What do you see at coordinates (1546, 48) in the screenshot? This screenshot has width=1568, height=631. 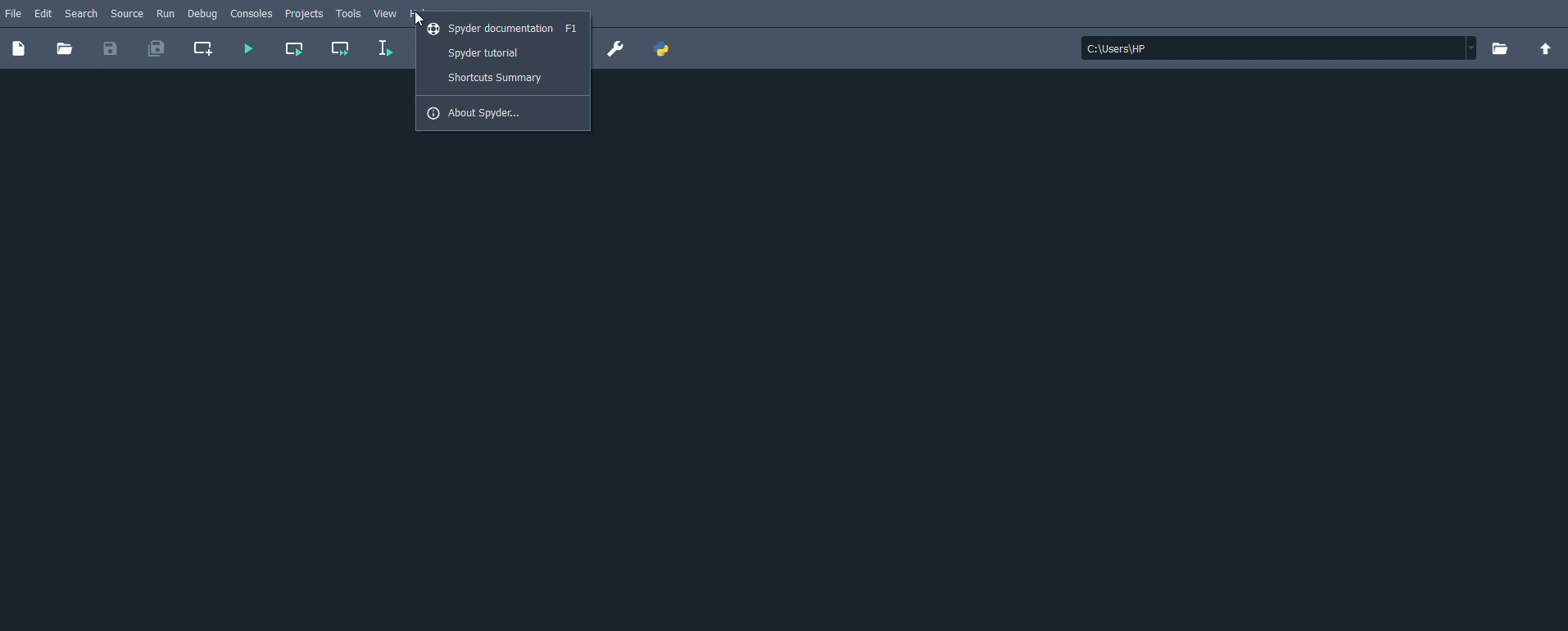 I see `Change to parent directory` at bounding box center [1546, 48].